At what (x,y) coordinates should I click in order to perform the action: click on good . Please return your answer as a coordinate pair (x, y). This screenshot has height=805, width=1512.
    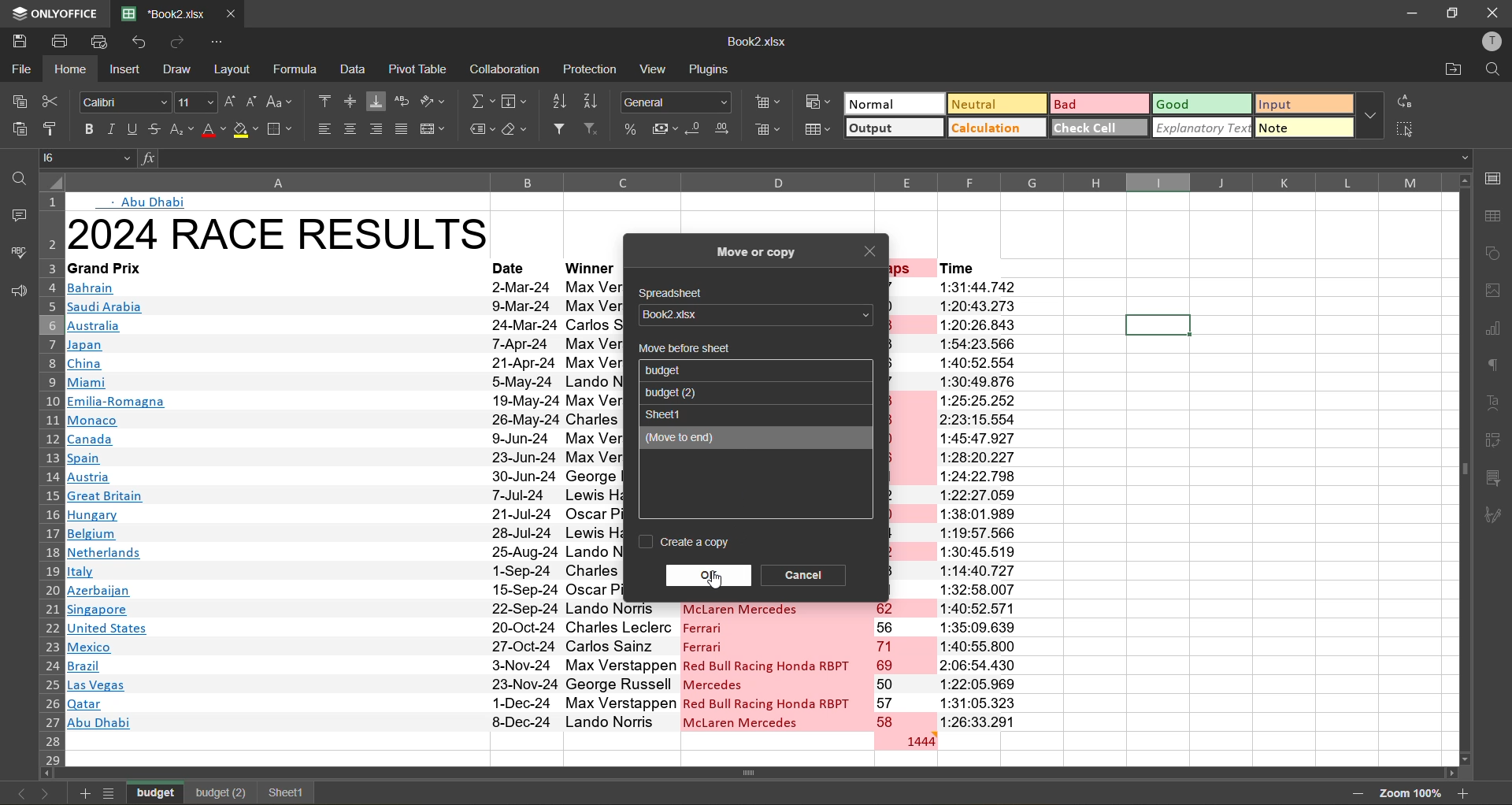
    Looking at the image, I should click on (1203, 105).